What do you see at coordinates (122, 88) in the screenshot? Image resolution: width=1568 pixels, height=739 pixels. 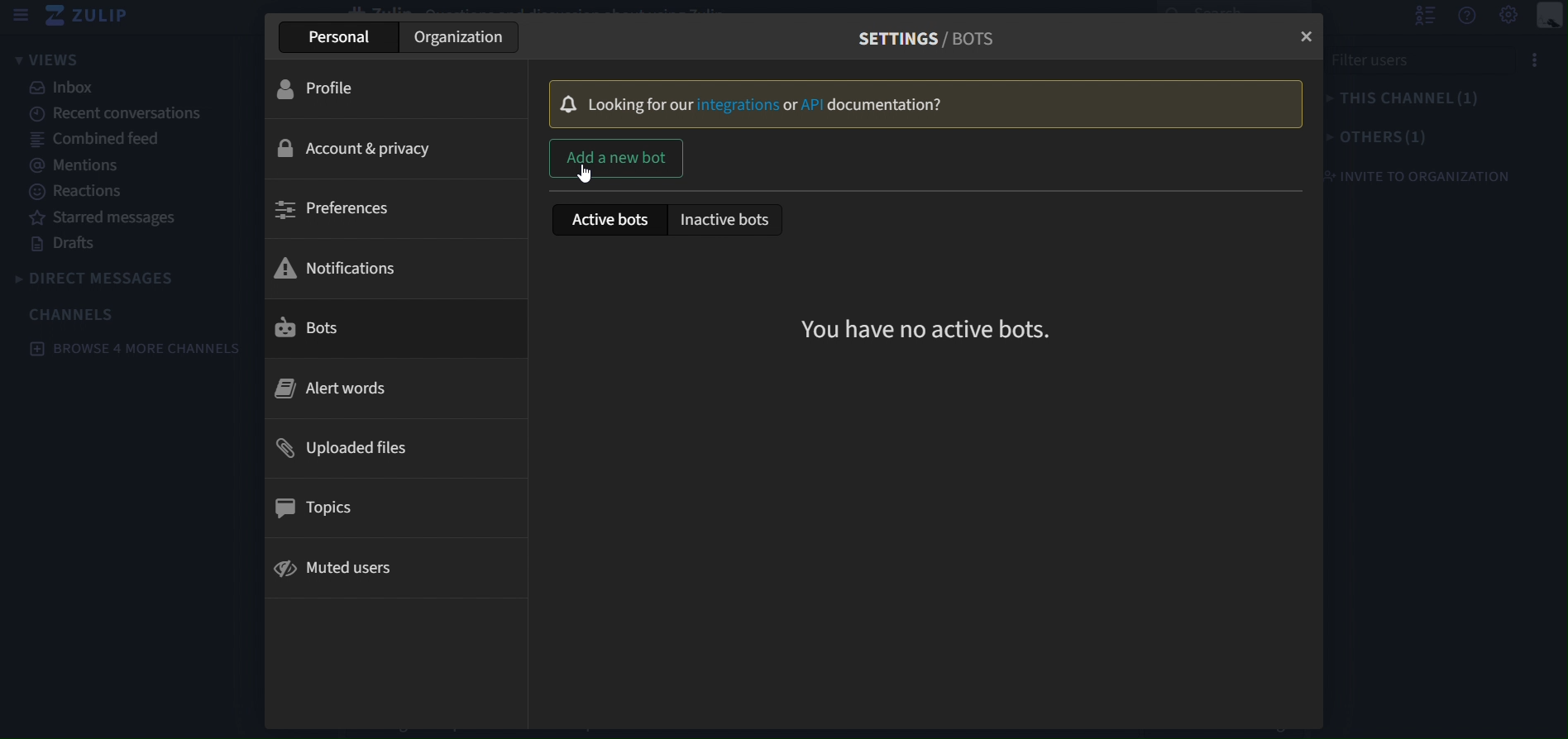 I see `inbox` at bounding box center [122, 88].